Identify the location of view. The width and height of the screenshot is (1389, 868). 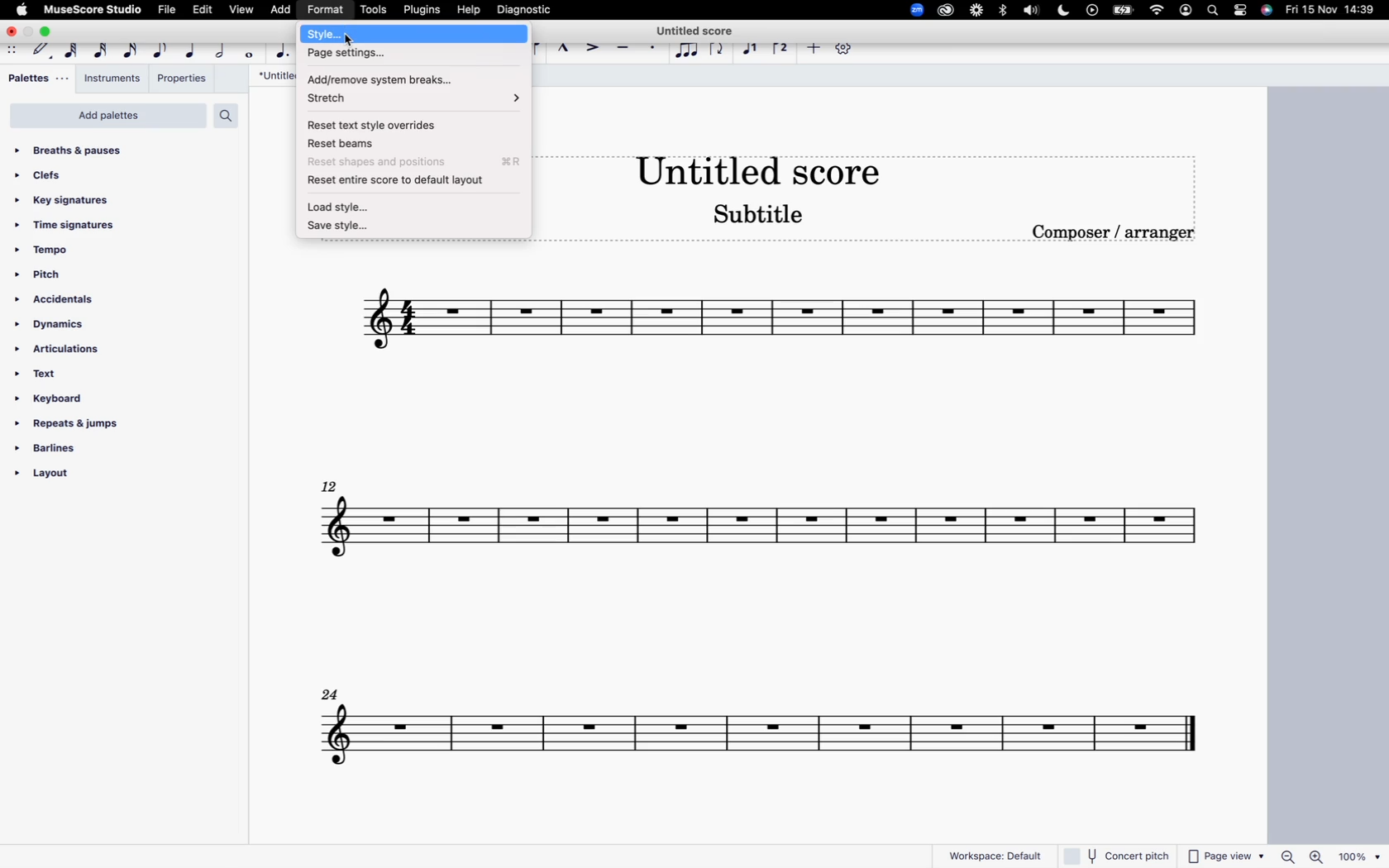
(242, 11).